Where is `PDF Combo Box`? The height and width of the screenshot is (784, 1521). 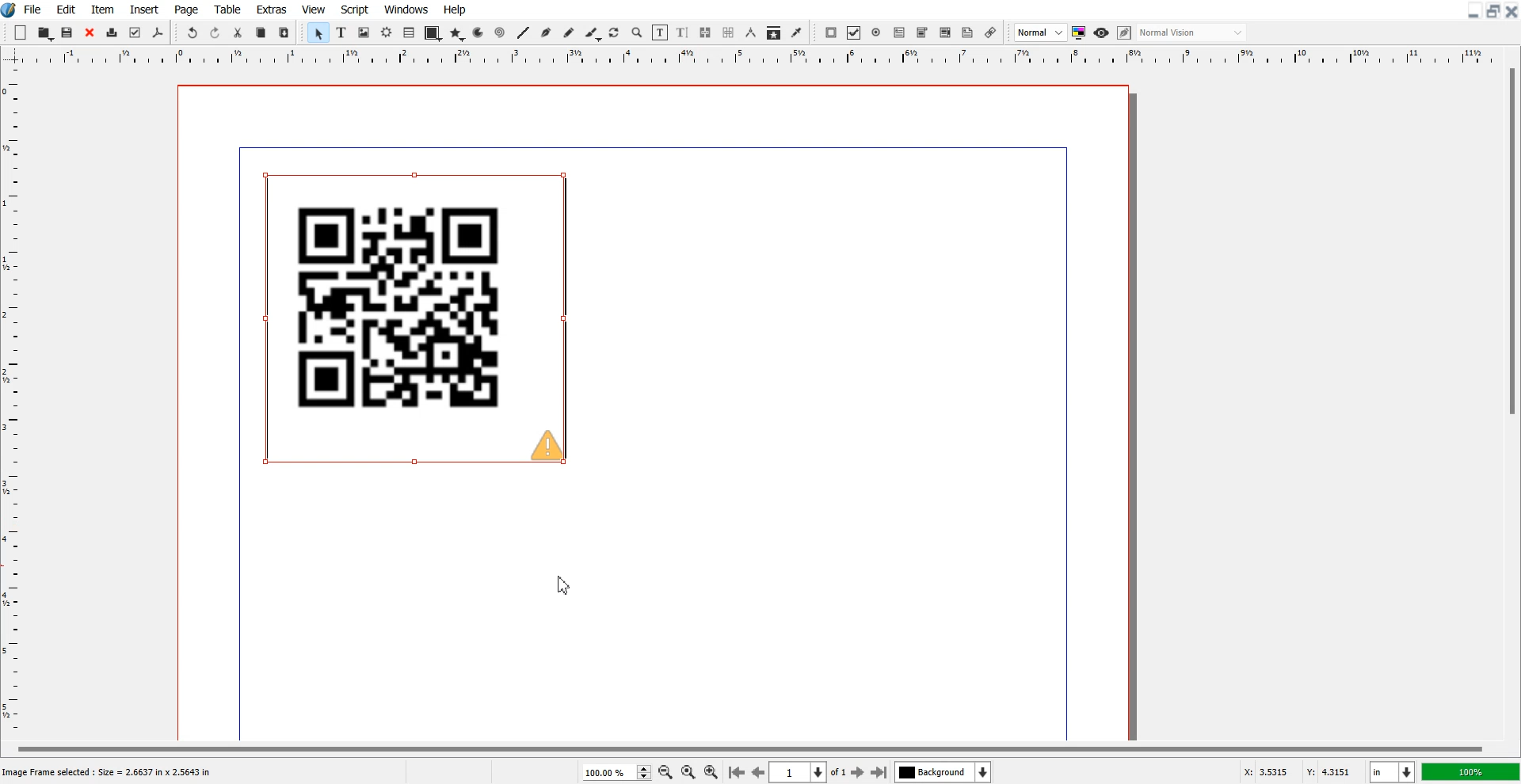 PDF Combo Box is located at coordinates (922, 33).